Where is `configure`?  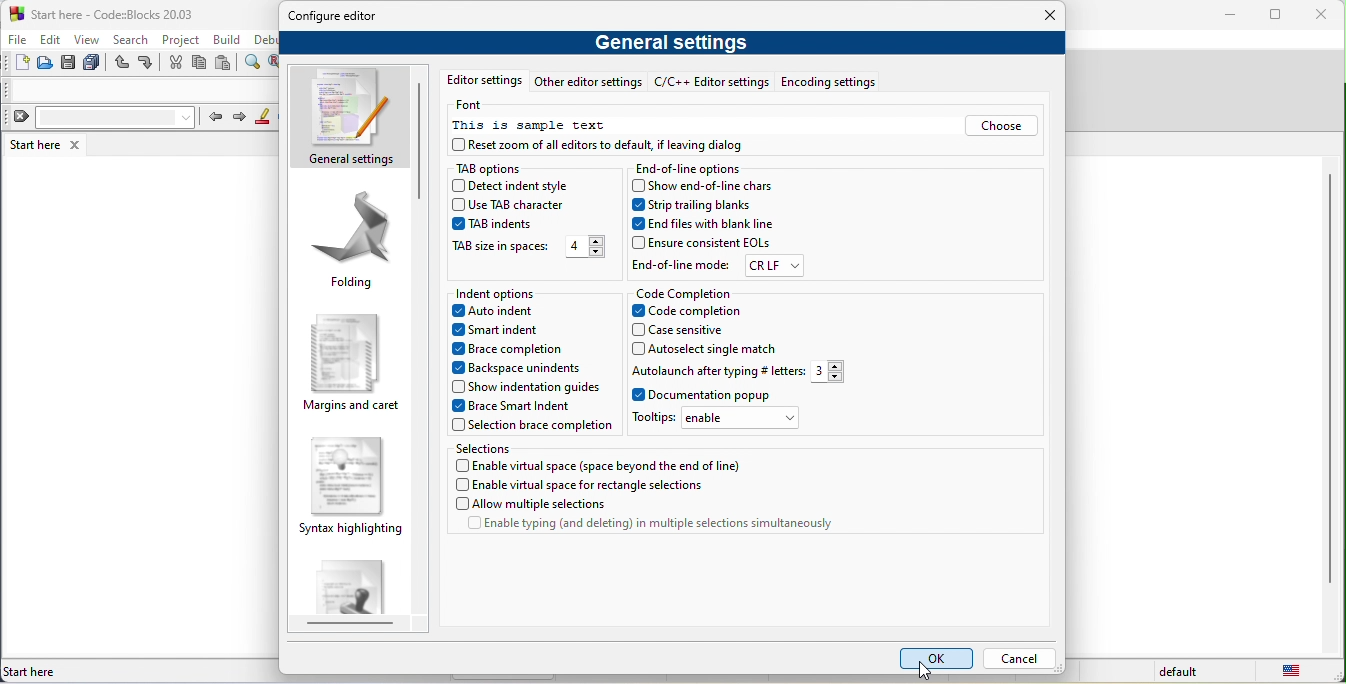
configure is located at coordinates (341, 18).